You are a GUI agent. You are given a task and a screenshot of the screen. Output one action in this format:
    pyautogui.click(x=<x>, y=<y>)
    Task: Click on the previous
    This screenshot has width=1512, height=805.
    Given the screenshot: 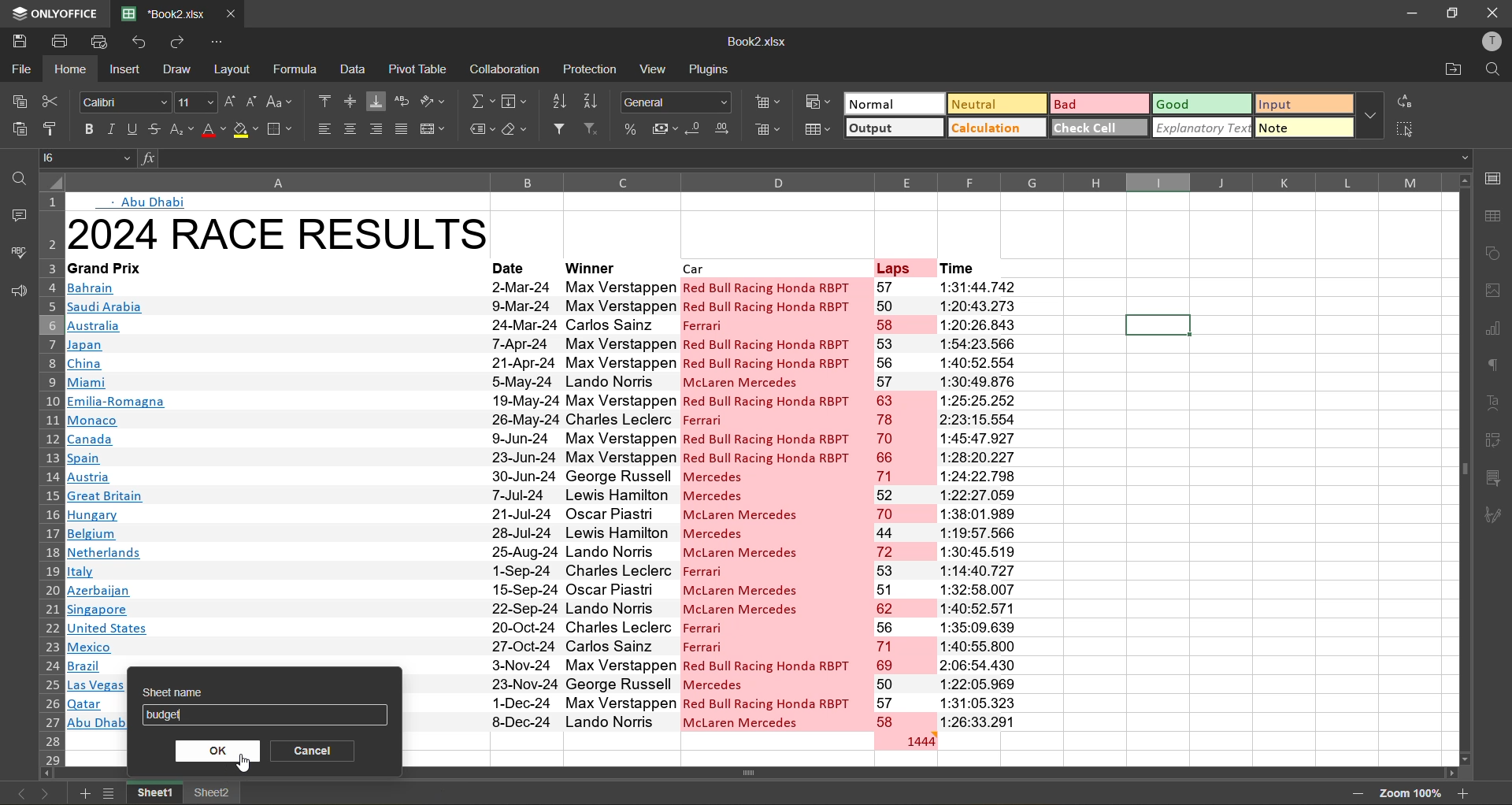 What is the action you would take?
    pyautogui.click(x=17, y=793)
    